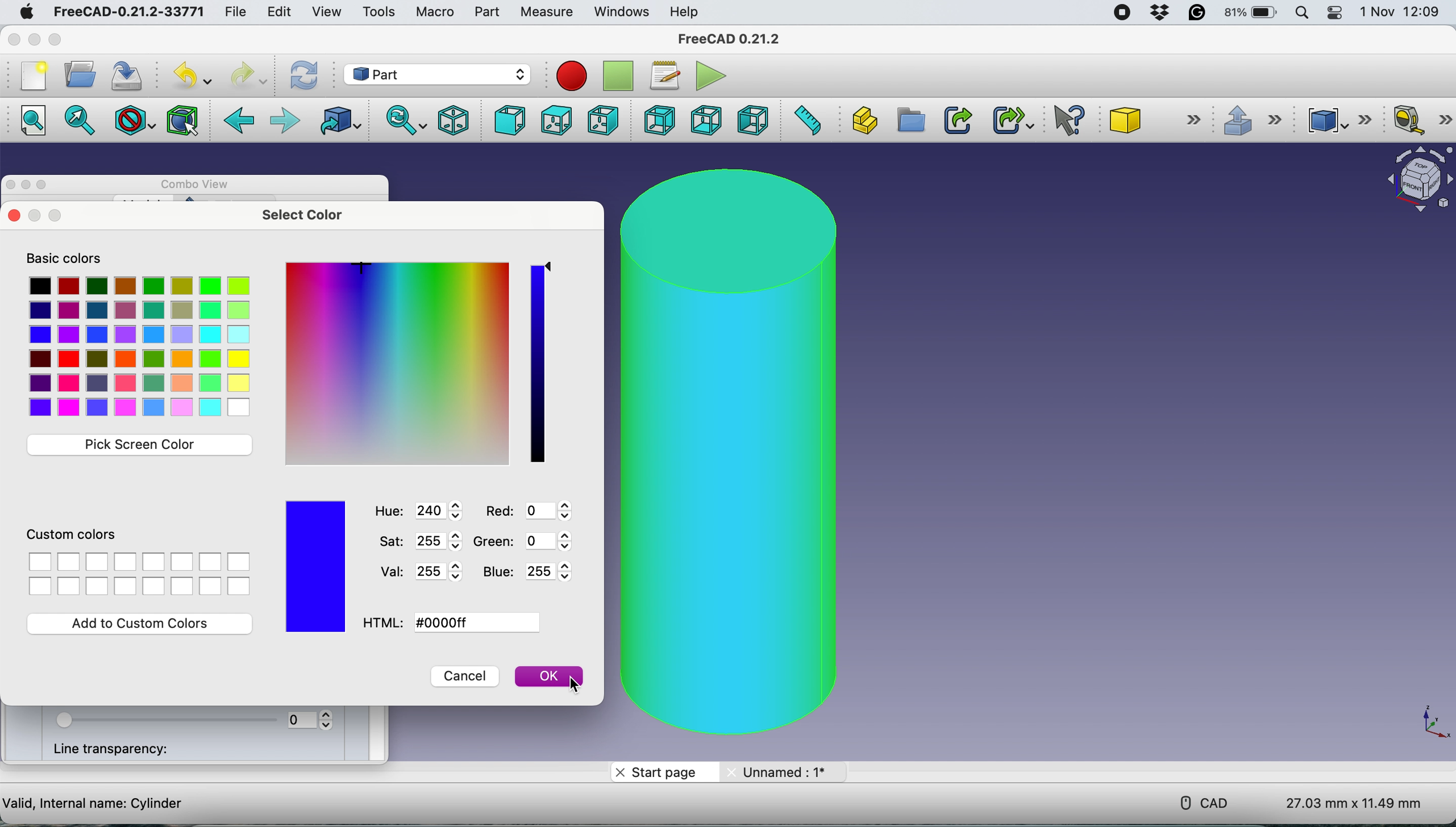 Image resolution: width=1456 pixels, height=827 pixels. Describe the element at coordinates (1122, 14) in the screenshot. I see `screen recorder` at that location.